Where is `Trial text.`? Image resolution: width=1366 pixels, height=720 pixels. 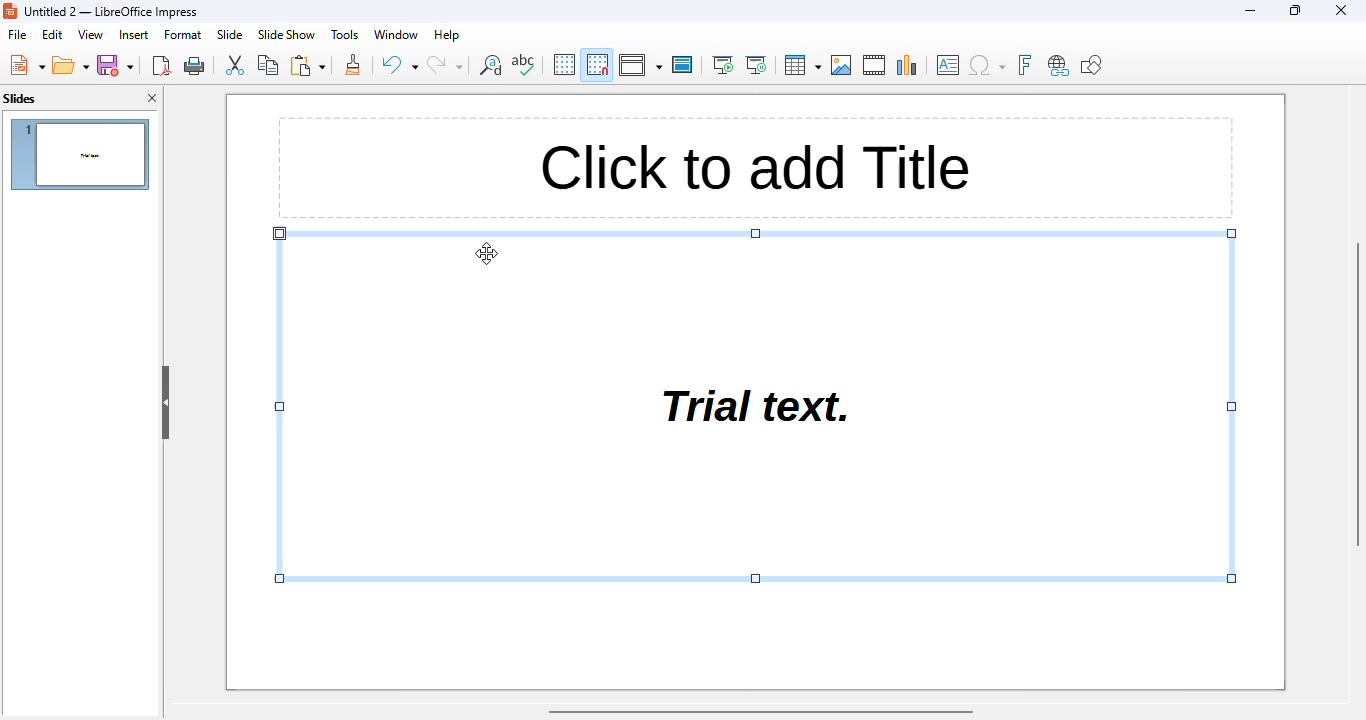
Trial text. is located at coordinates (757, 410).